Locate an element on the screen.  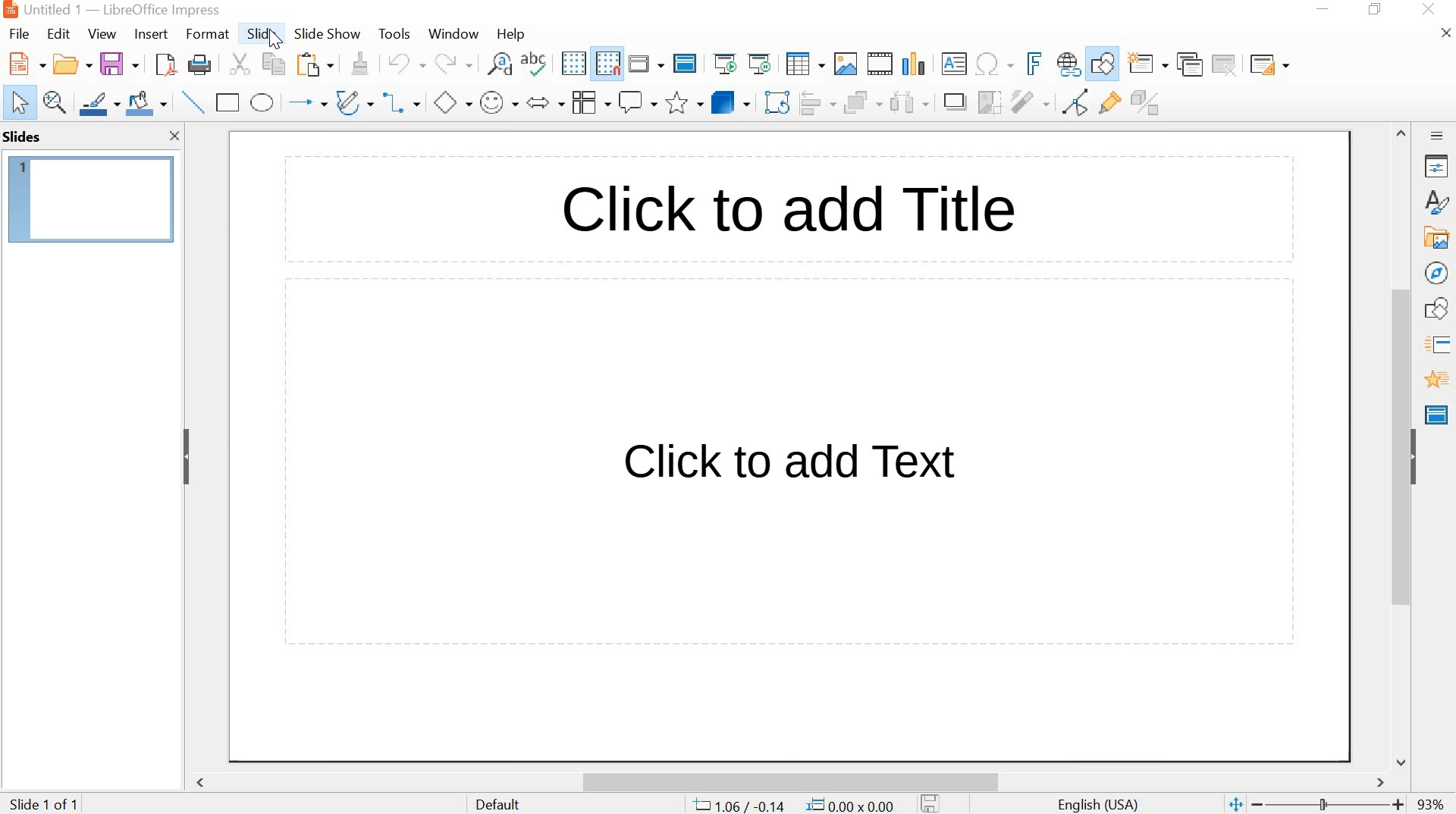
ZOOM FACTOR is located at coordinates (1432, 806).